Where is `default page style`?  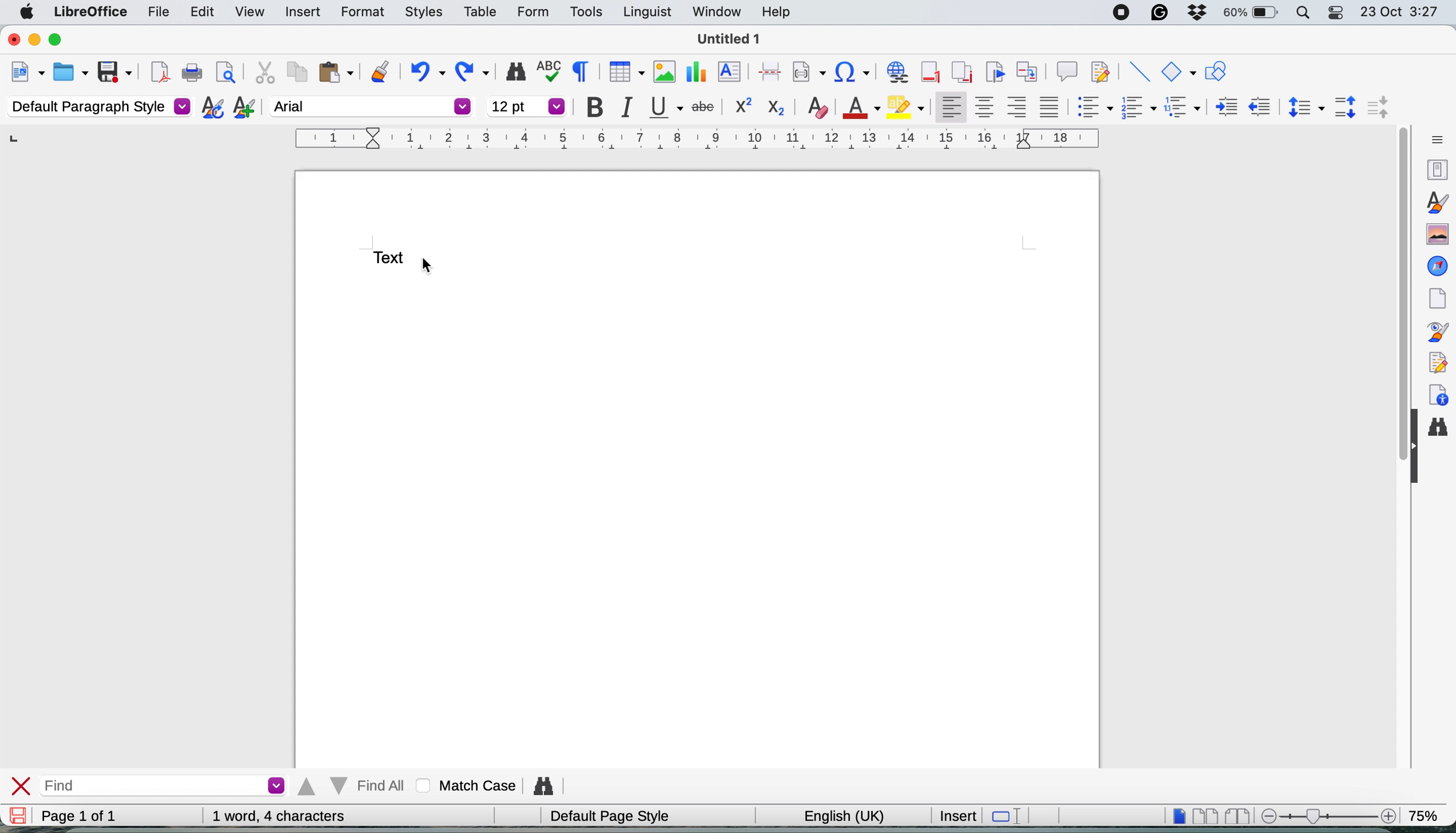
default page style is located at coordinates (607, 816).